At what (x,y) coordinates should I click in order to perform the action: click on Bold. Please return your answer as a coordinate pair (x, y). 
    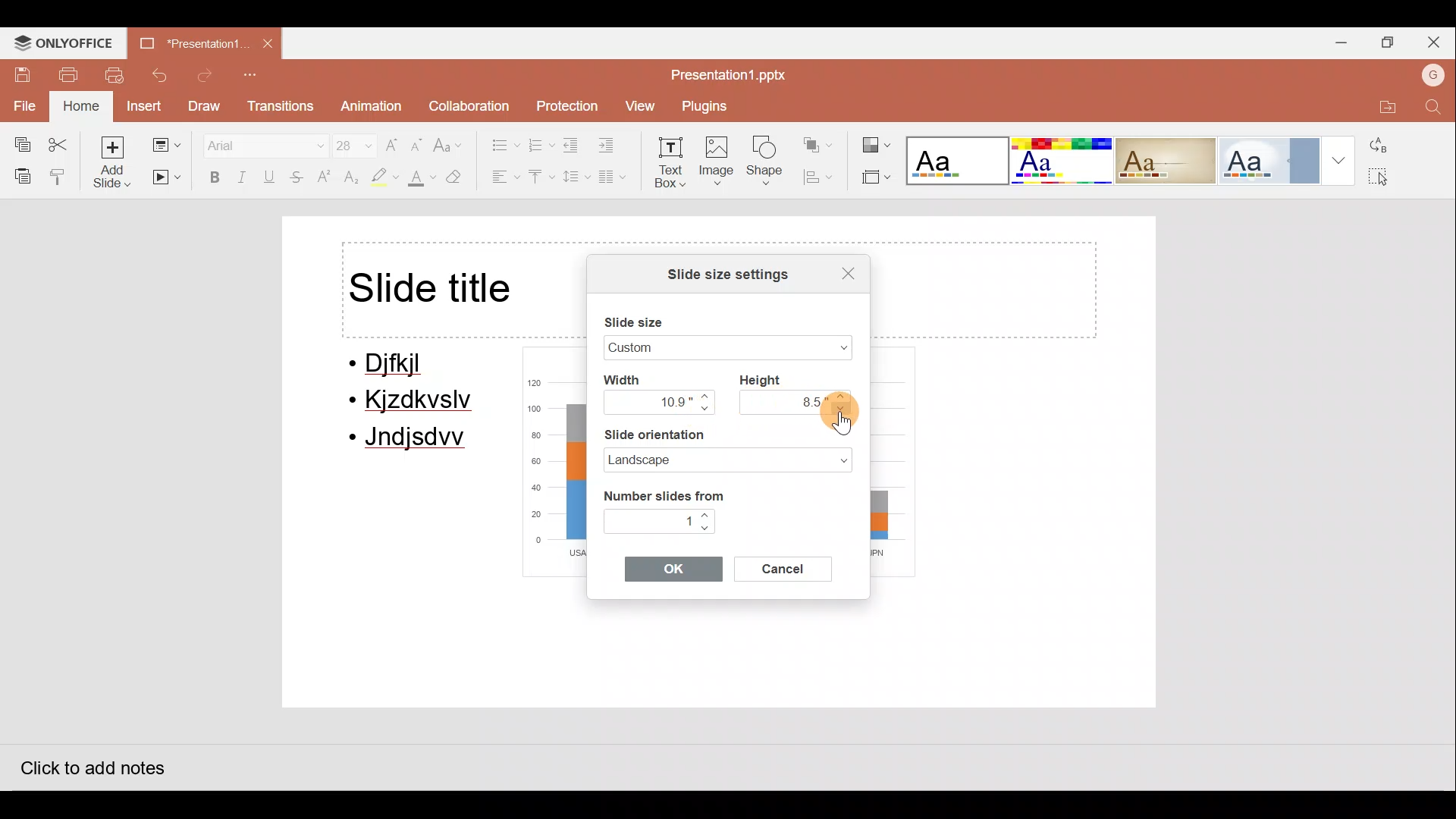
    Looking at the image, I should click on (211, 177).